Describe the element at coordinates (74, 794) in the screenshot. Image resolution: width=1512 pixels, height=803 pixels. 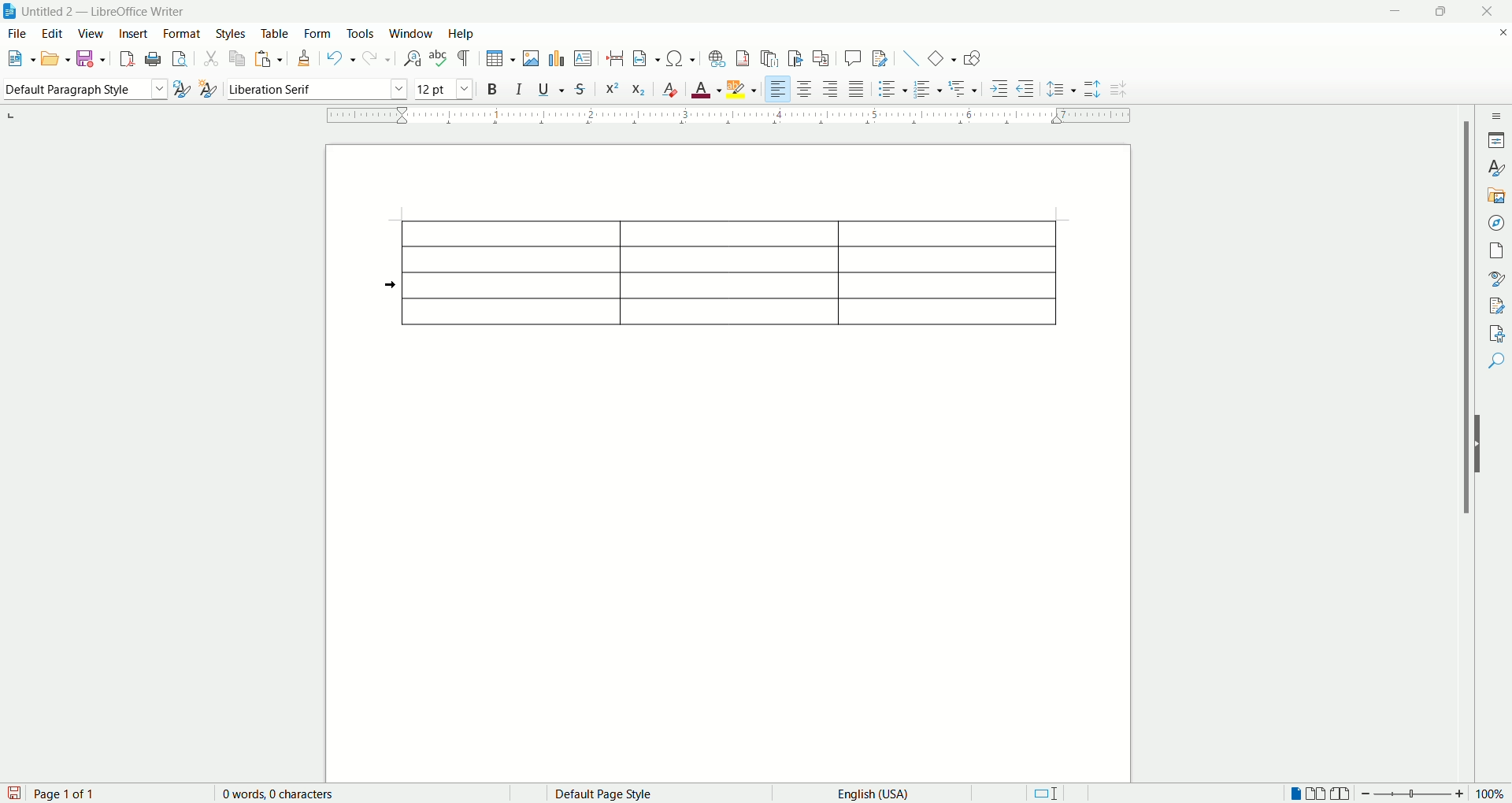
I see `page 1 of 1` at that location.